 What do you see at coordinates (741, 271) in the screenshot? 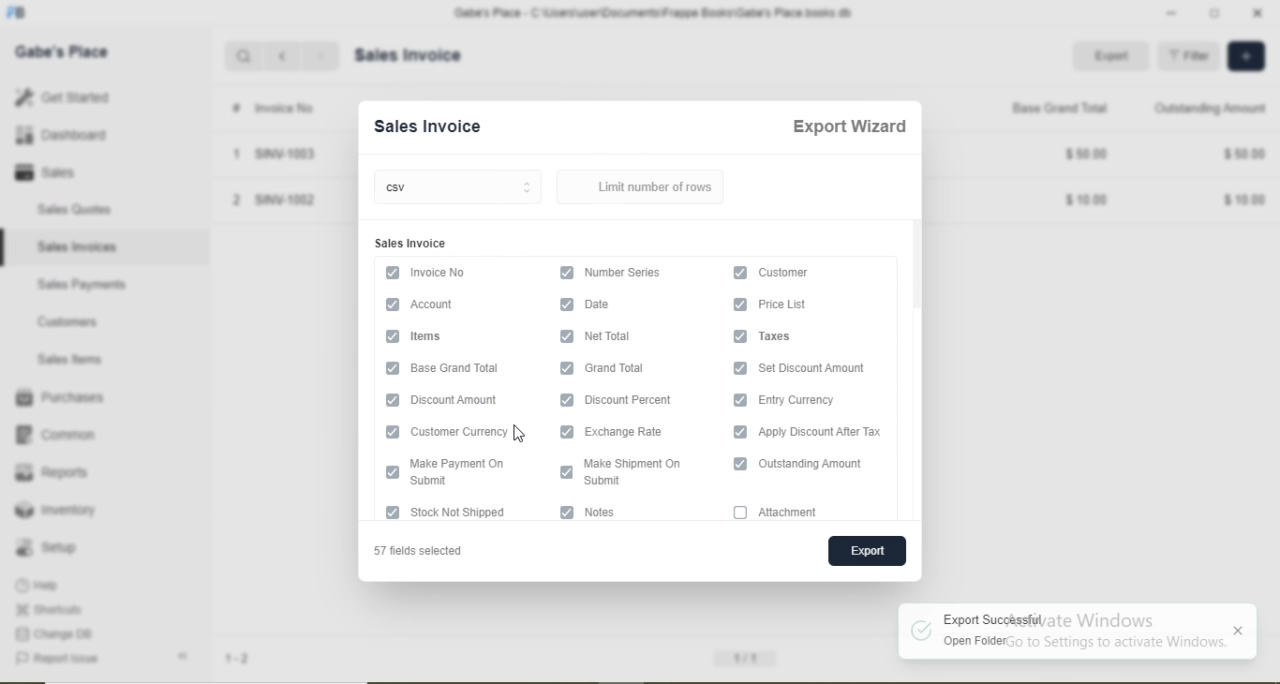
I see `checkbox` at bounding box center [741, 271].